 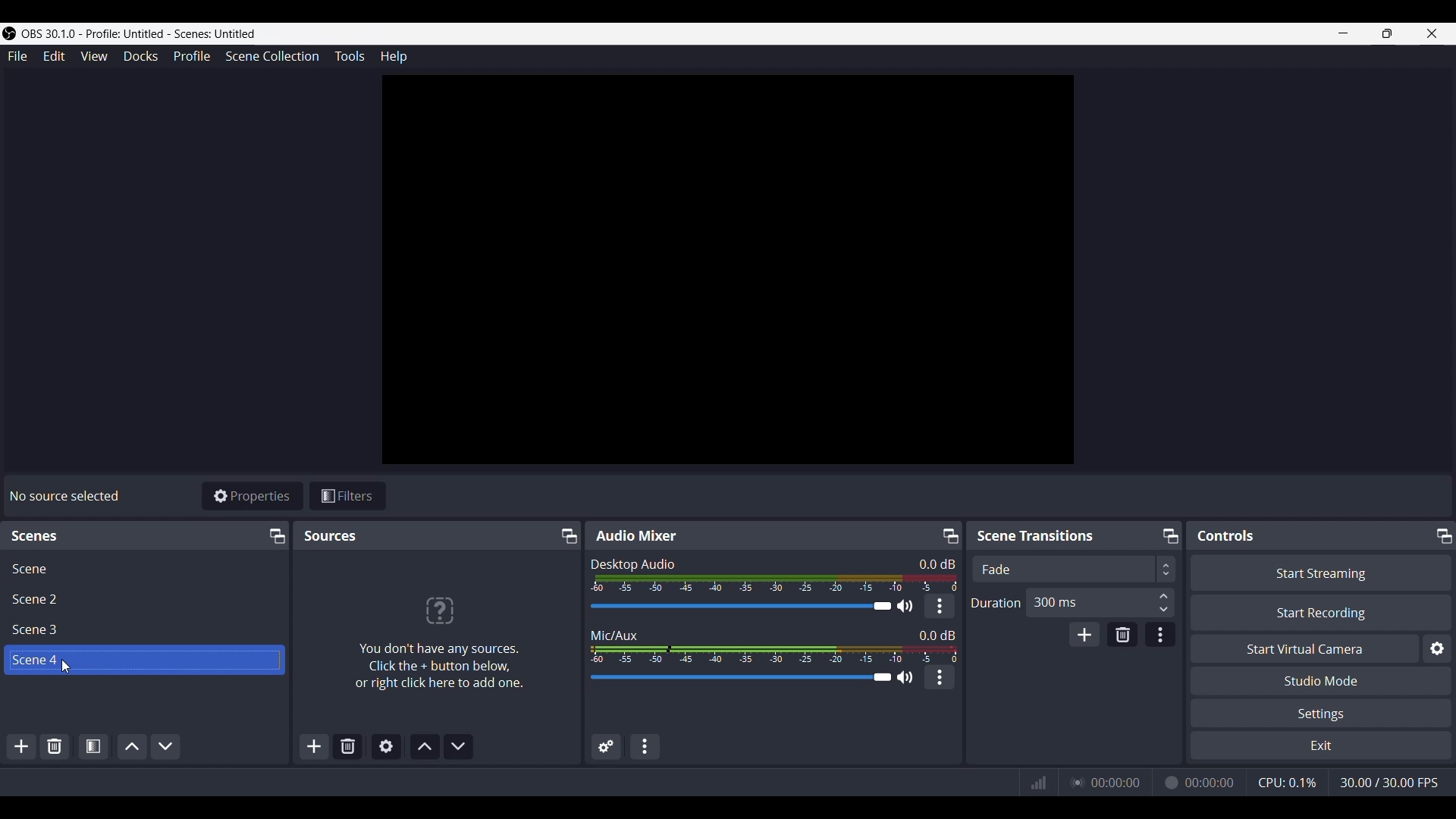 I want to click on Remove selected scene(s), so click(x=348, y=745).